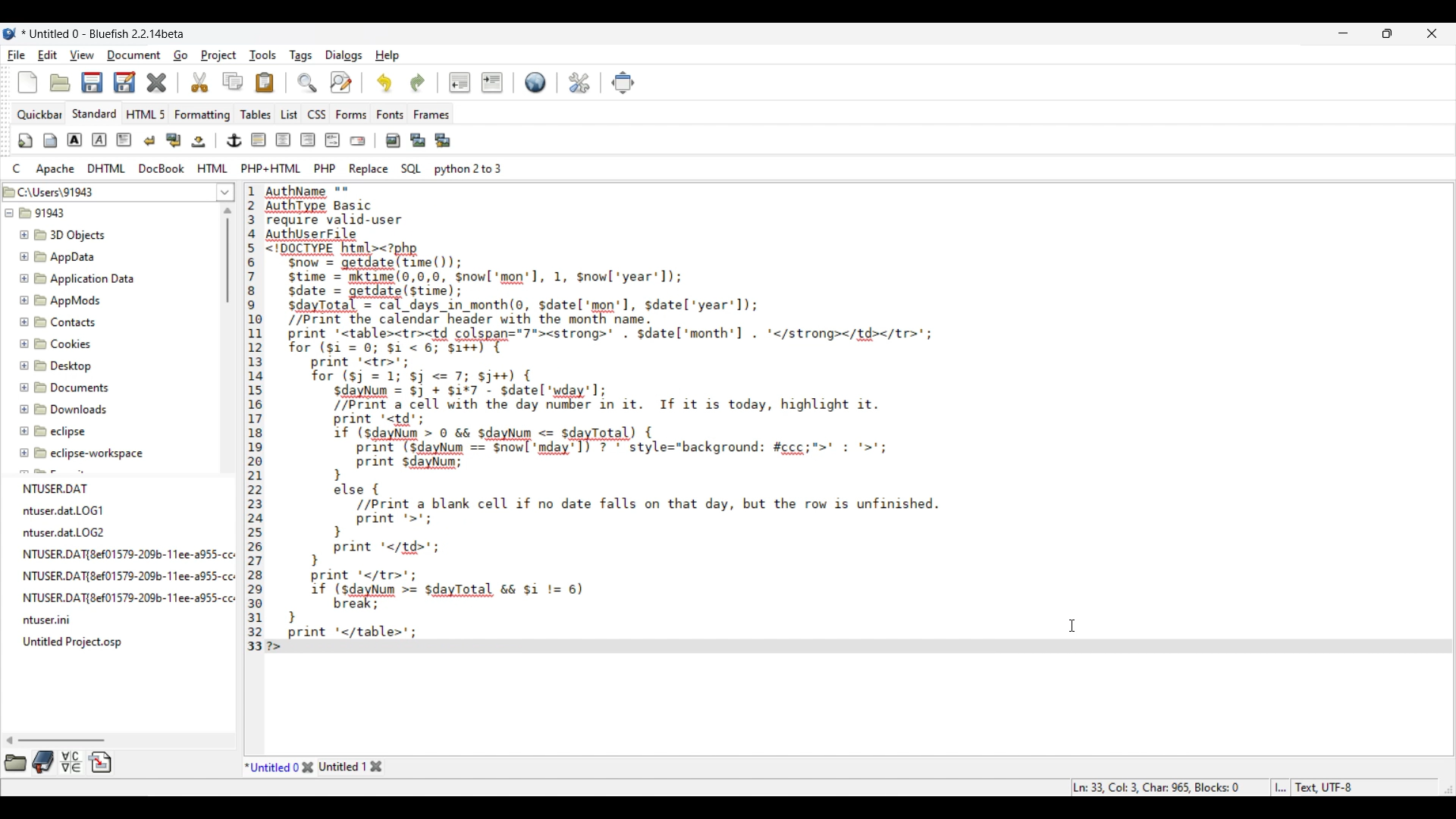 The height and width of the screenshot is (819, 1456). Describe the element at coordinates (623, 83) in the screenshot. I see `Move` at that location.